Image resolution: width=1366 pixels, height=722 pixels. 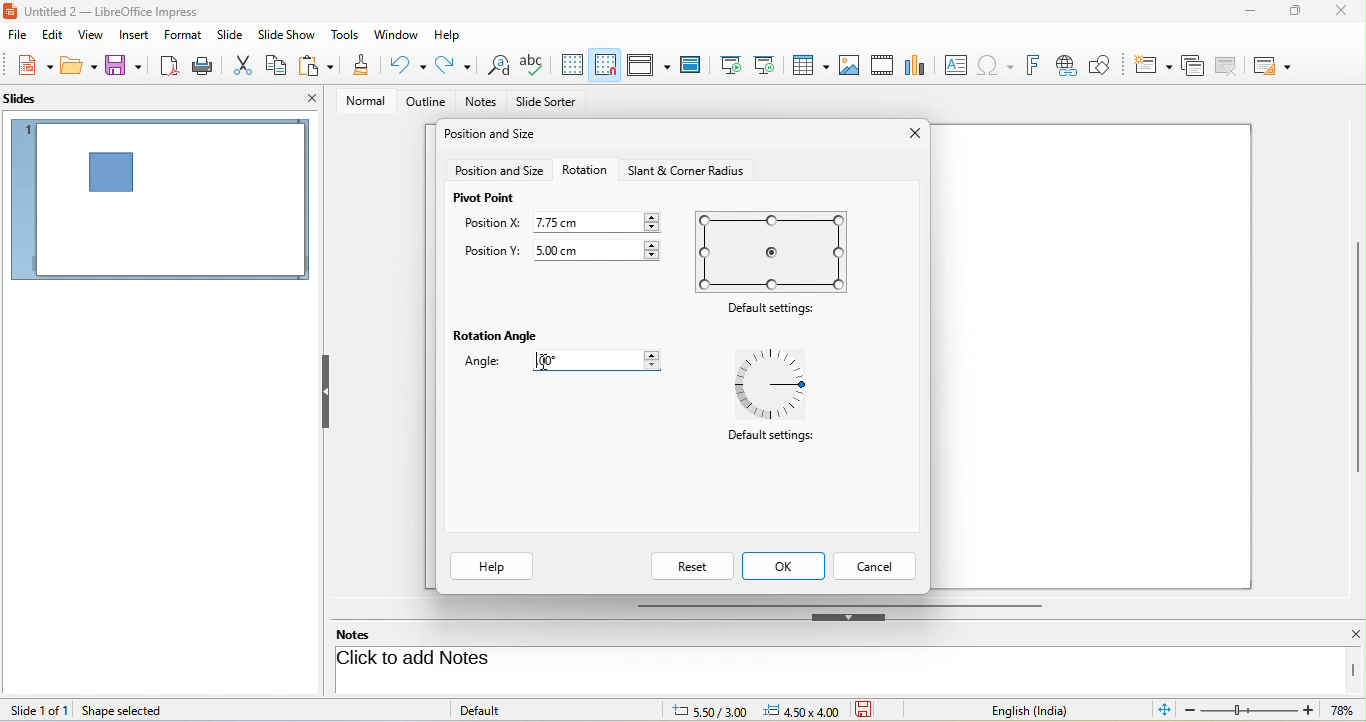 I want to click on image, so click(x=850, y=64).